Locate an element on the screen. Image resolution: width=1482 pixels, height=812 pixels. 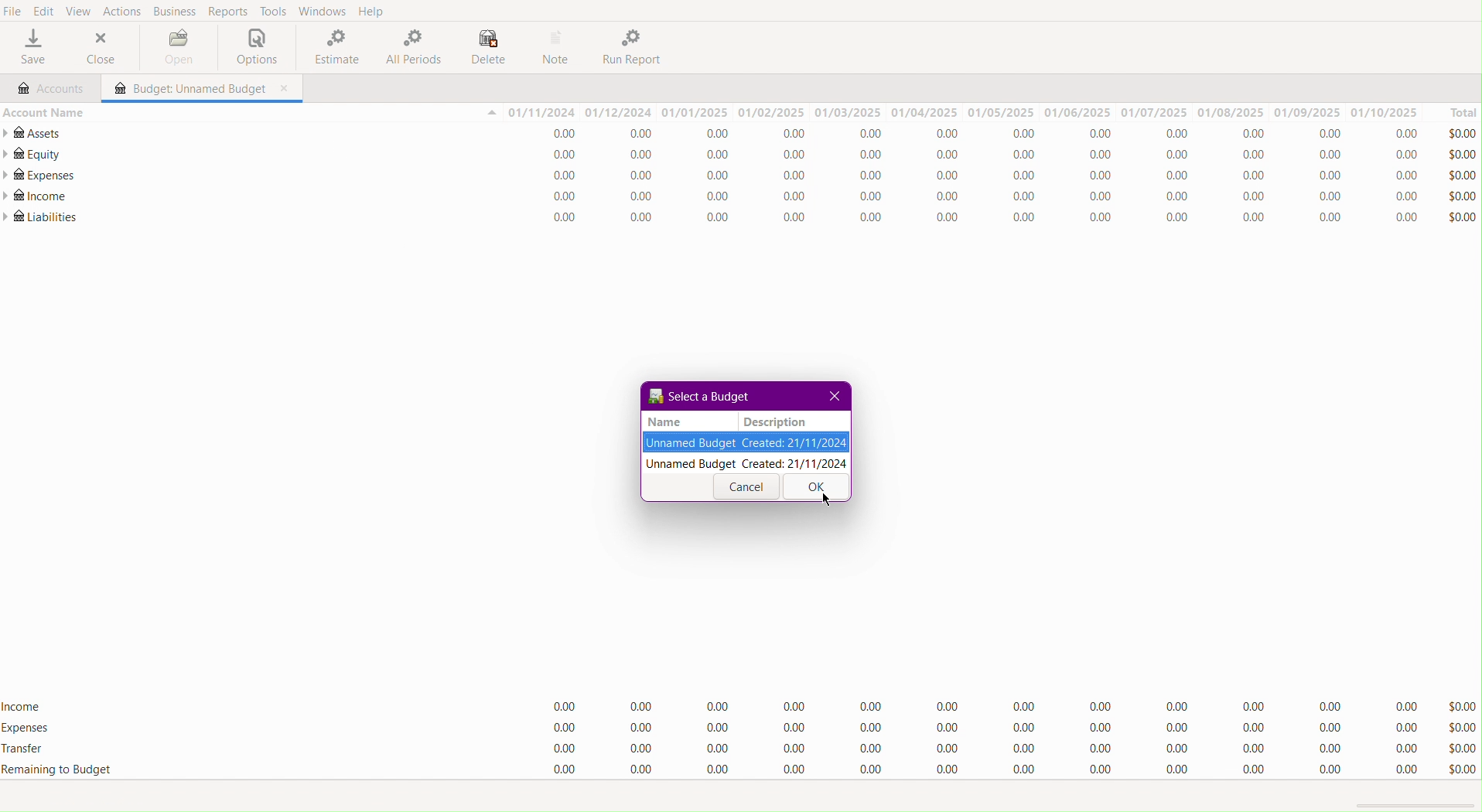
OK is located at coordinates (814, 488).